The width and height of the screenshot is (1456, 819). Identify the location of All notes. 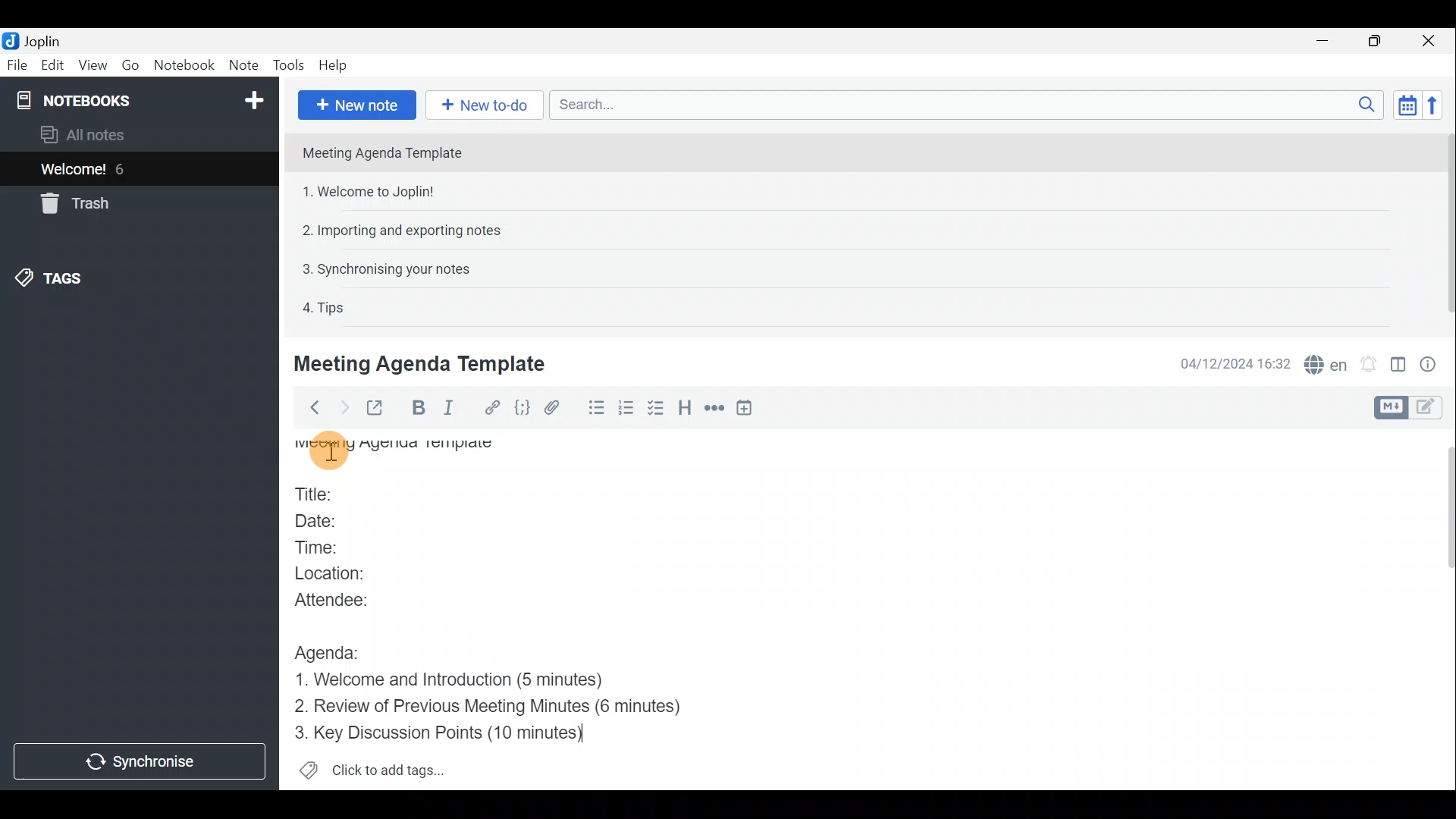
(108, 134).